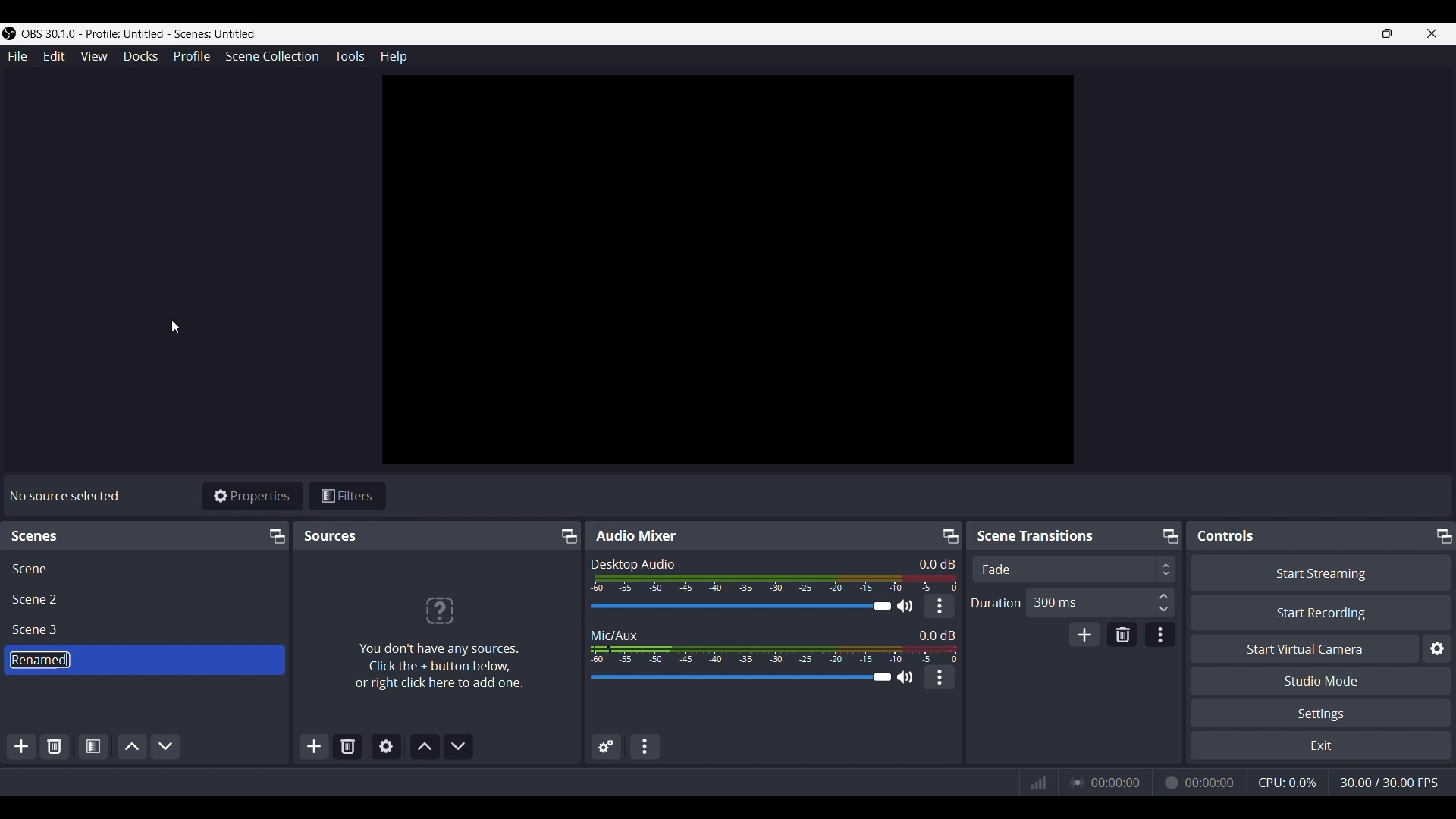 The image size is (1456, 819). Describe the element at coordinates (132, 745) in the screenshot. I see `Move scene up` at that location.